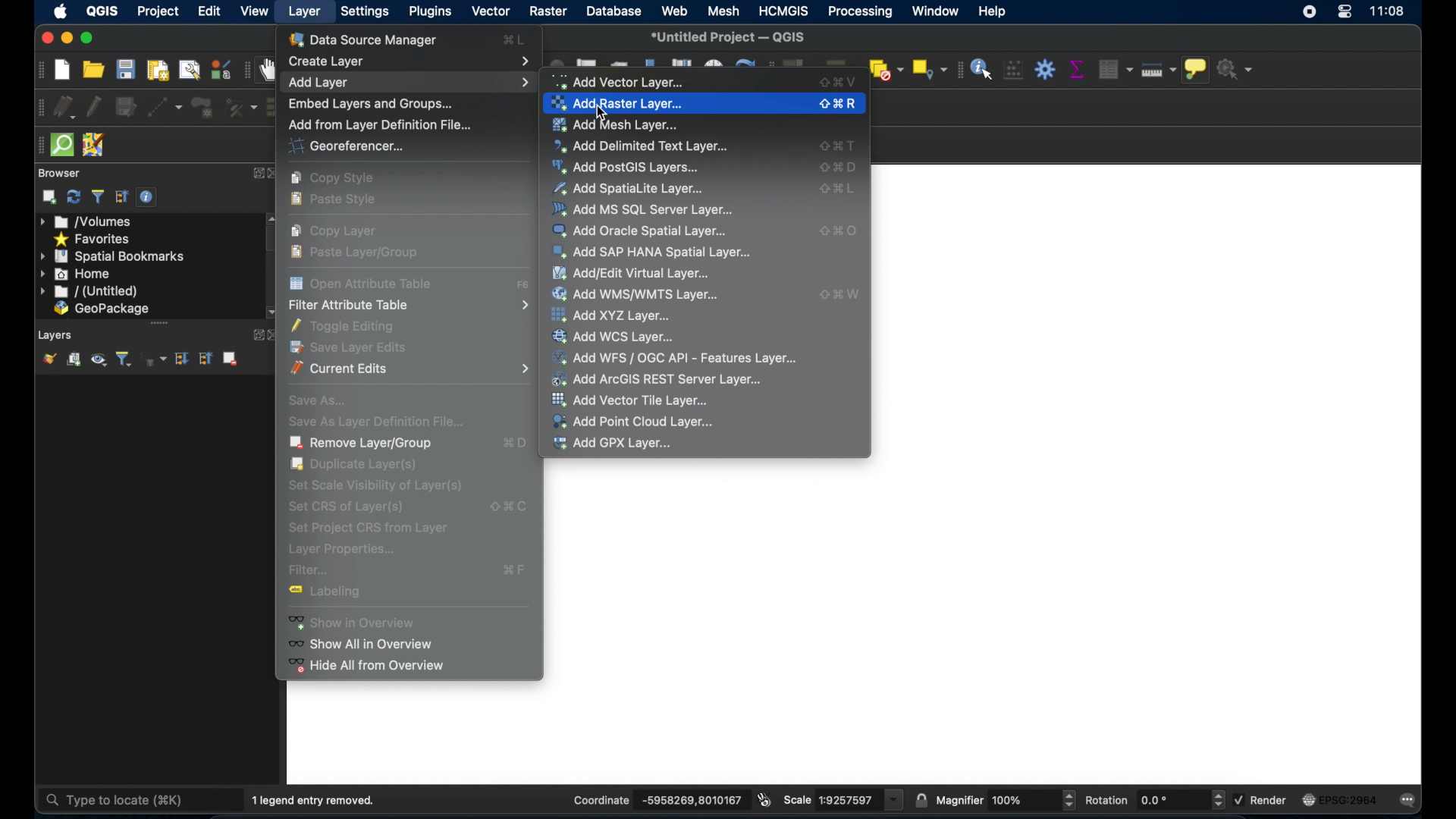 This screenshot has width=1456, height=819. Describe the element at coordinates (624, 81) in the screenshot. I see `add vector layer` at that location.